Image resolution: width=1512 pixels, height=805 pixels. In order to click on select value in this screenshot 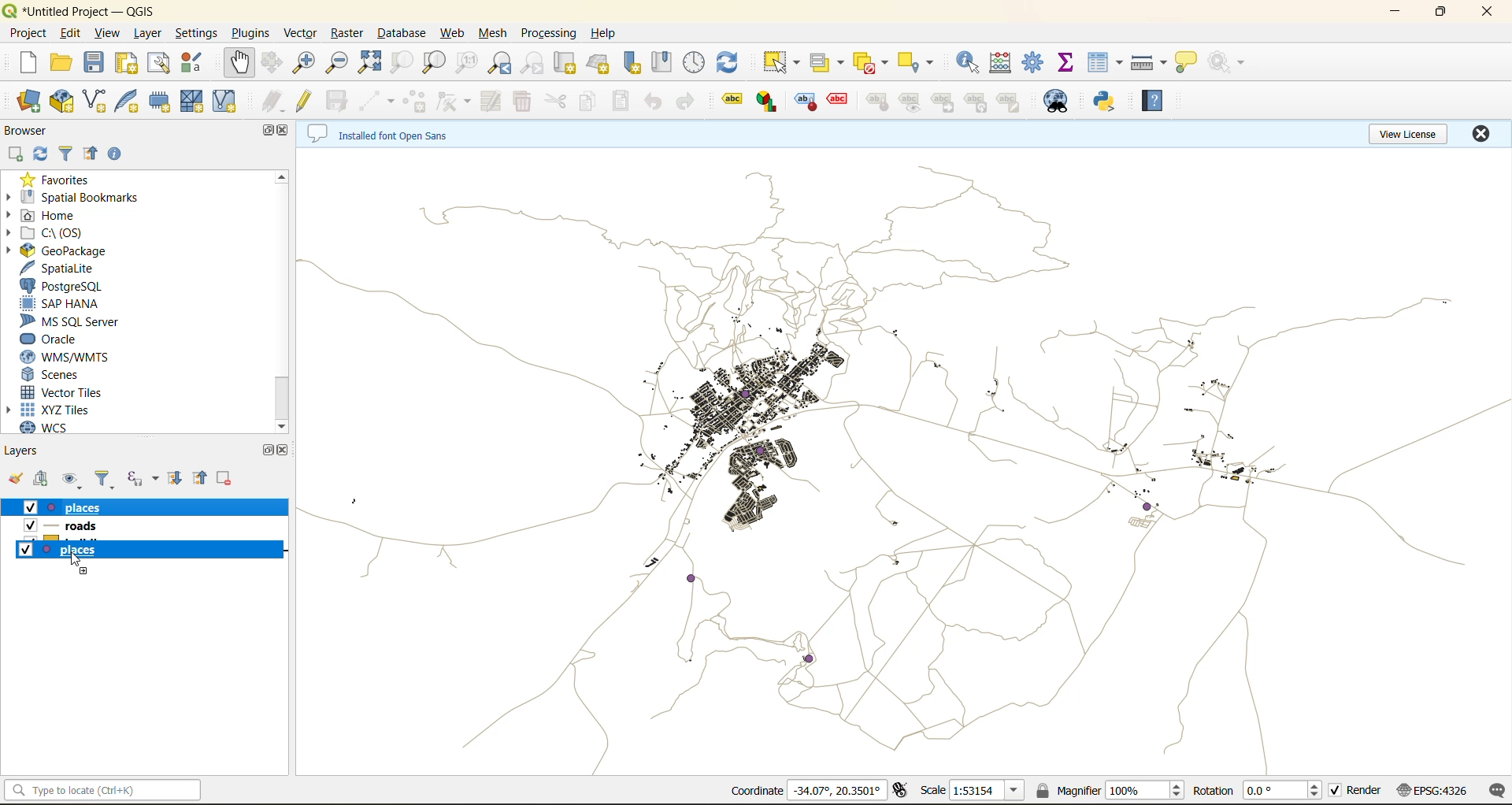, I will do `click(830, 61)`.